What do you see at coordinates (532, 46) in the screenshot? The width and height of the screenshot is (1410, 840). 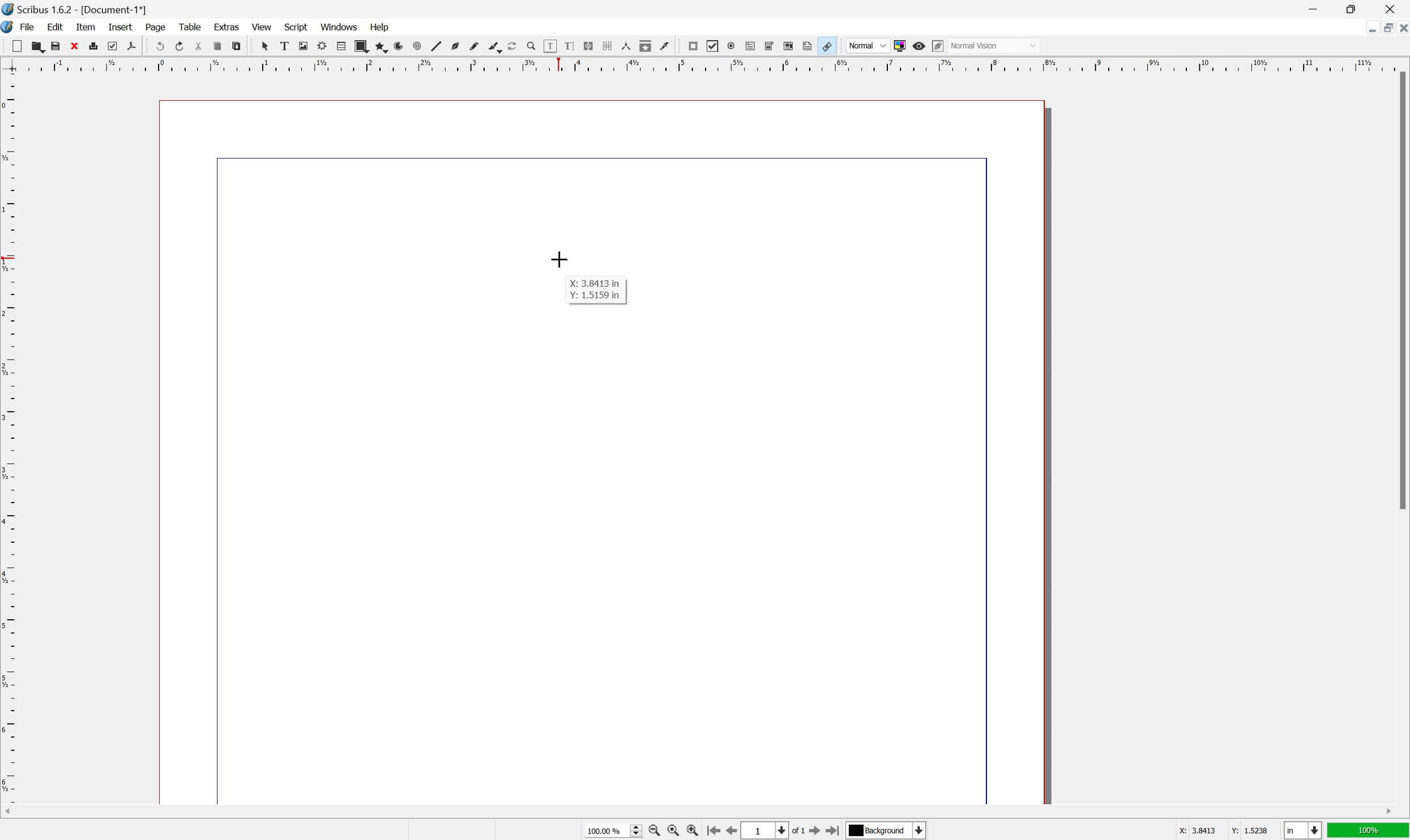 I see `zoom in or zoom out` at bounding box center [532, 46].